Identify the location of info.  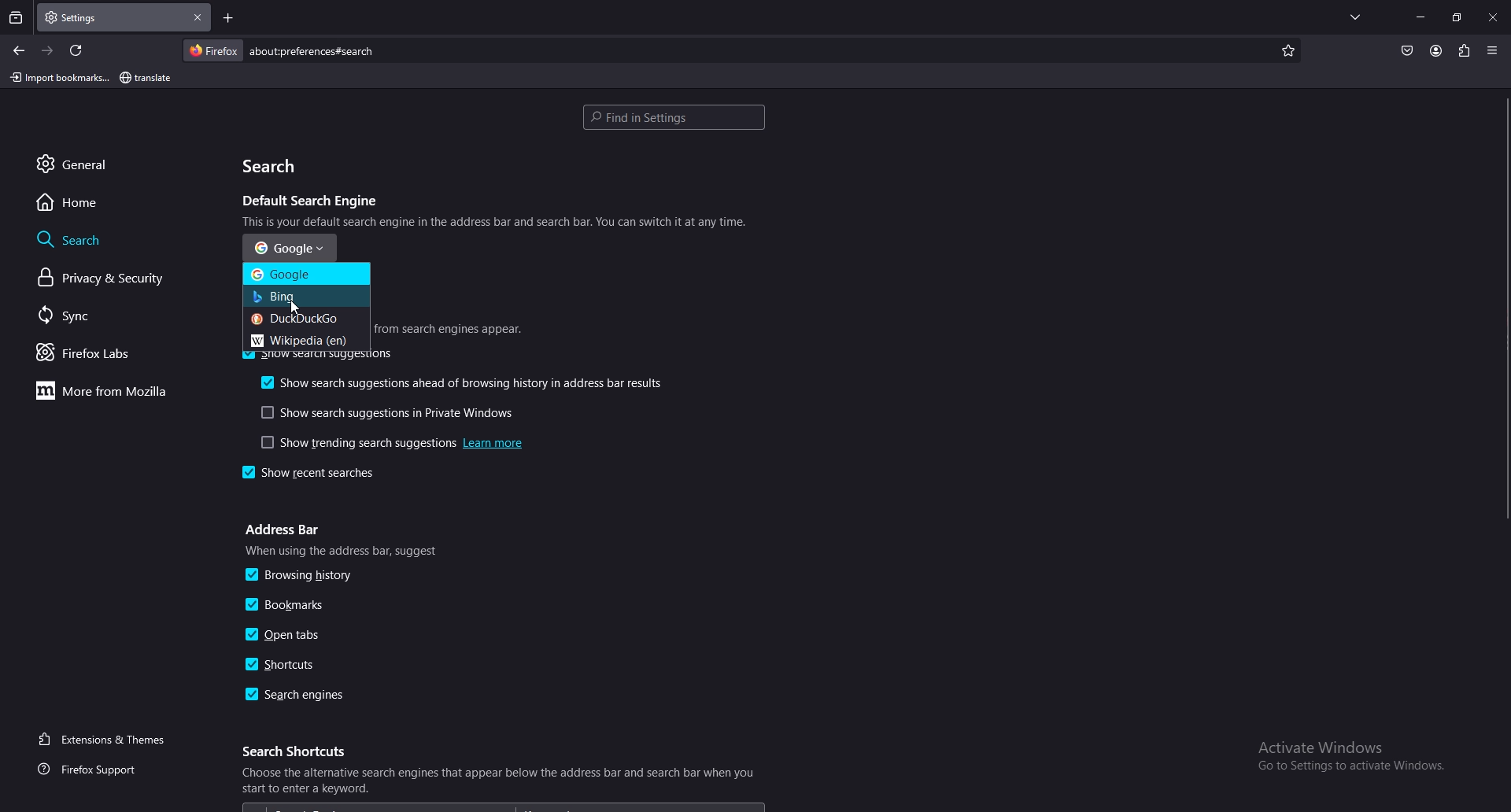
(497, 221).